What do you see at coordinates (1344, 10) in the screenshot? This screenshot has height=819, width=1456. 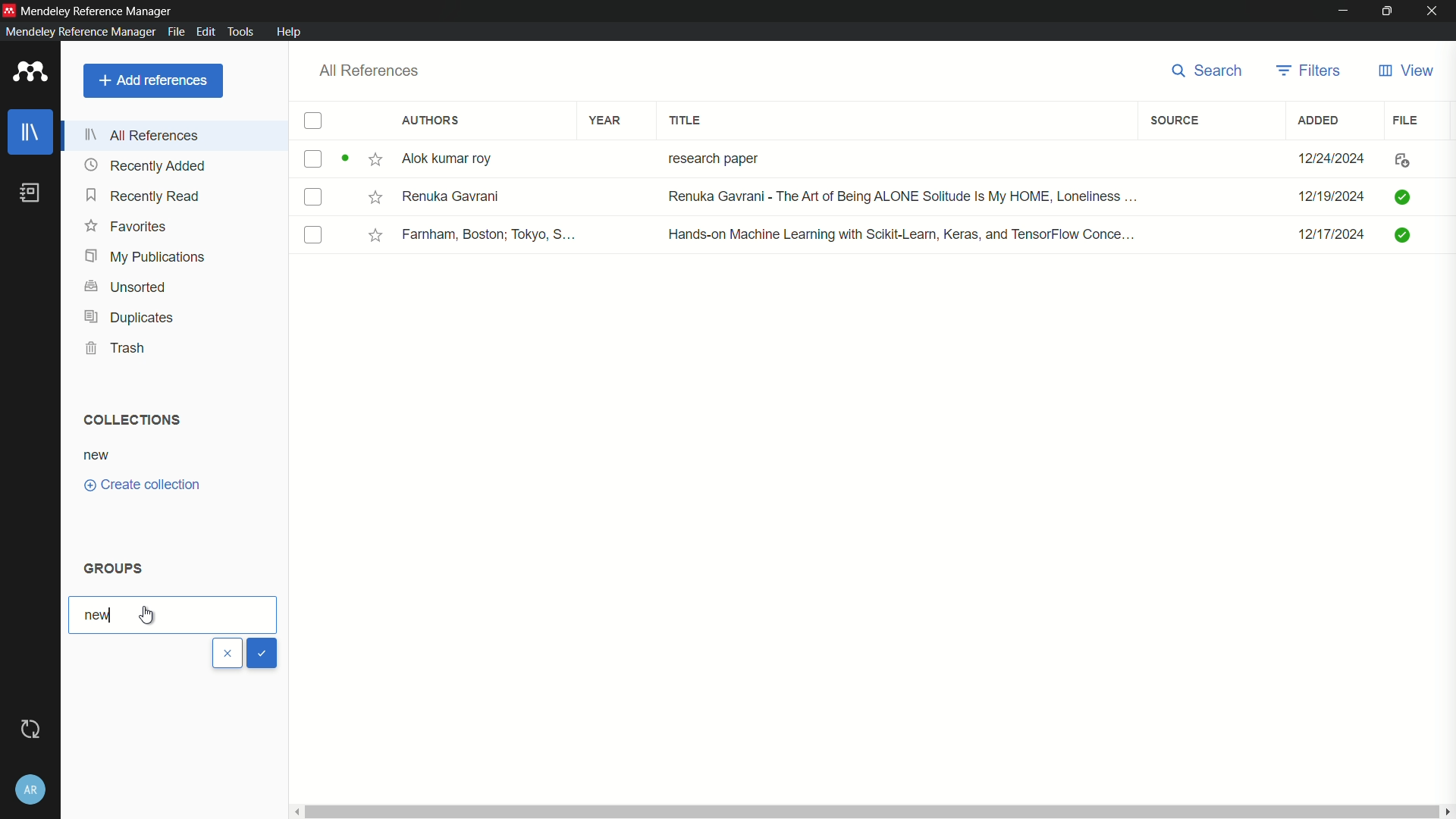 I see `minimize` at bounding box center [1344, 10].